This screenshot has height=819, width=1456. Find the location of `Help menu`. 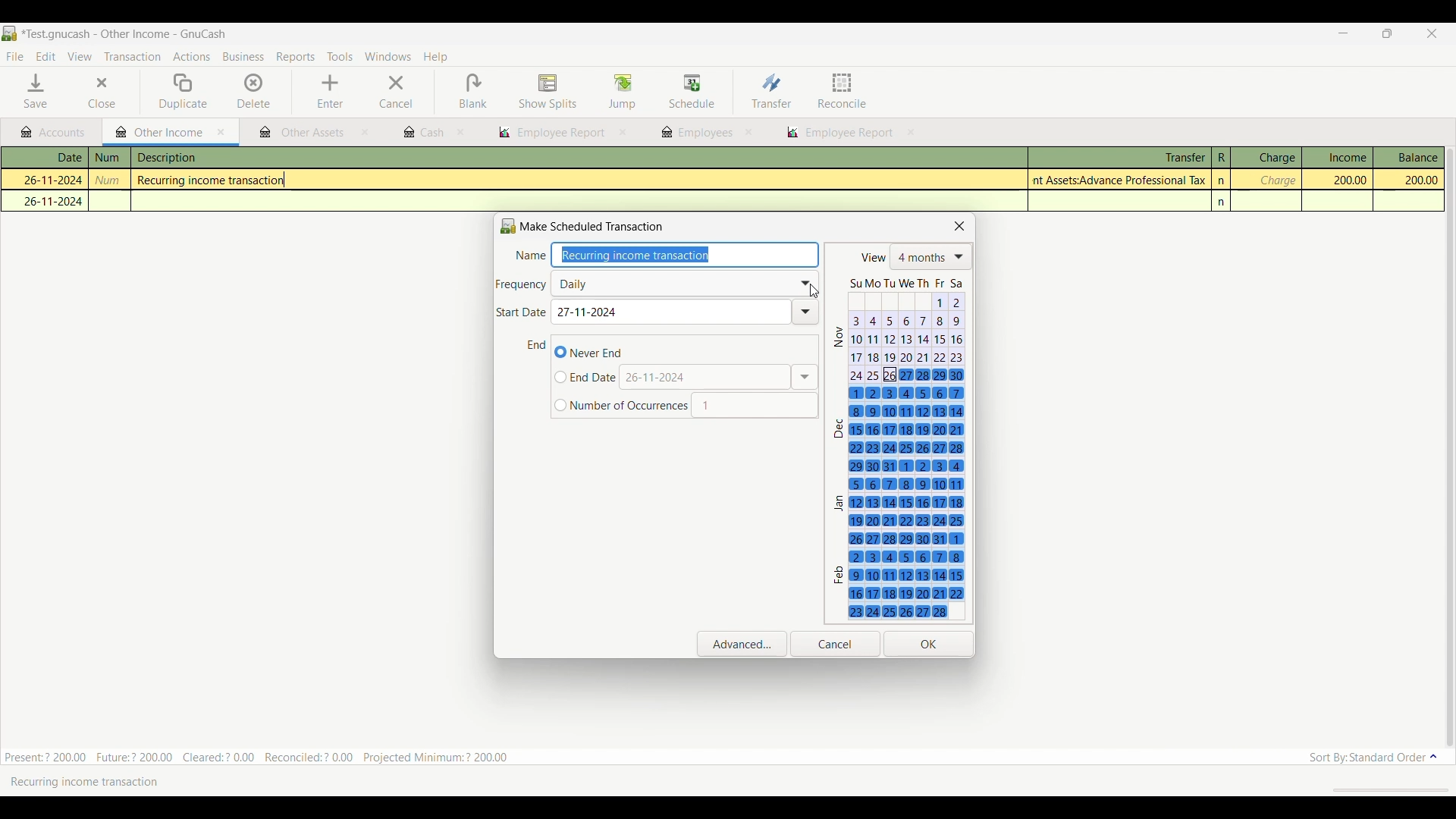

Help menu is located at coordinates (436, 58).